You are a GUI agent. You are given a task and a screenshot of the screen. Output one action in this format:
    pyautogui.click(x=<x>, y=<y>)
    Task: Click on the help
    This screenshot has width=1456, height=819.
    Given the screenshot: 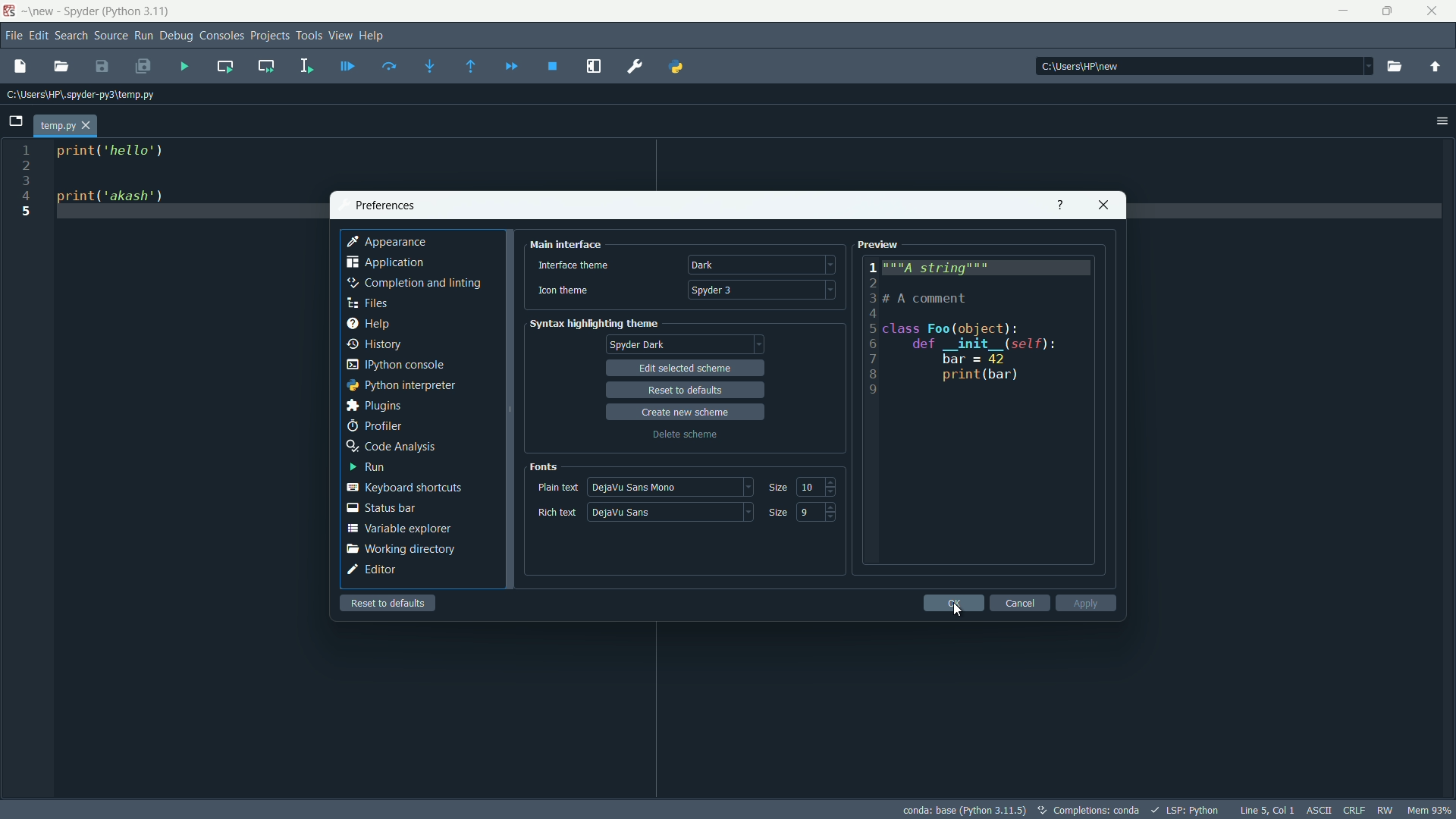 What is the action you would take?
    pyautogui.click(x=1059, y=203)
    